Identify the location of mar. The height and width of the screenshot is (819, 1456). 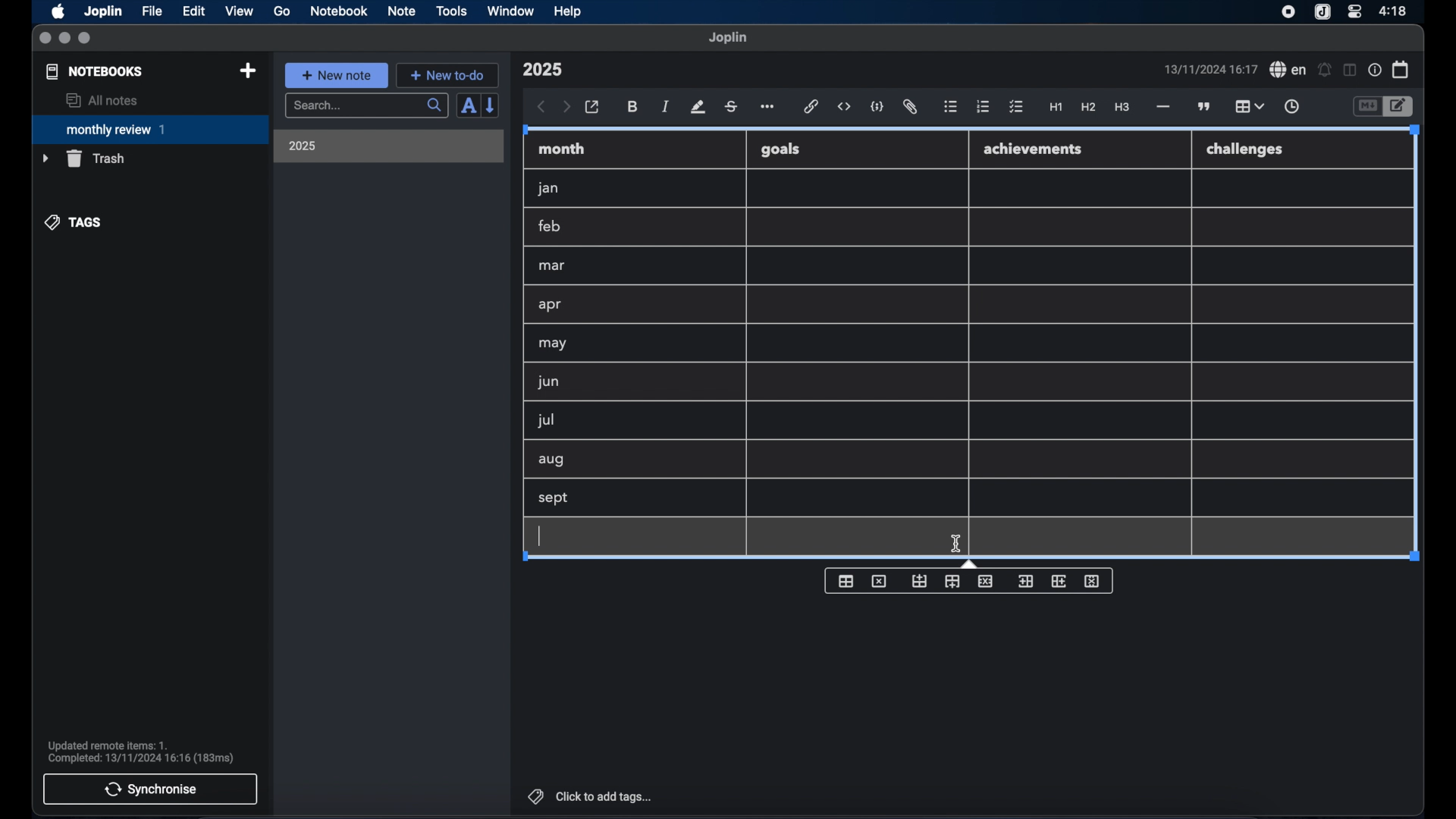
(553, 266).